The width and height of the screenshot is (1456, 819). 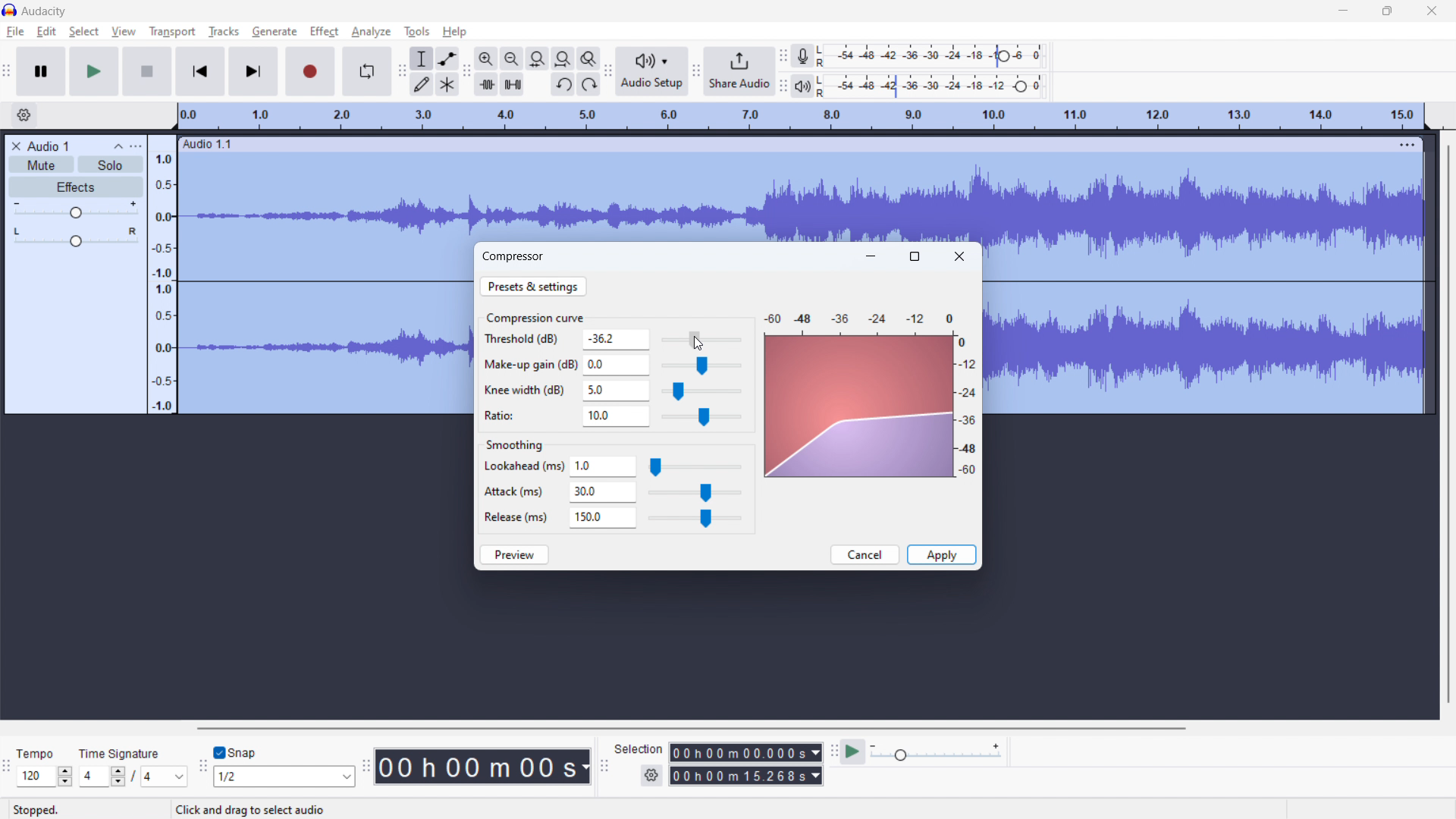 I want to click on play at speed, so click(x=853, y=752).